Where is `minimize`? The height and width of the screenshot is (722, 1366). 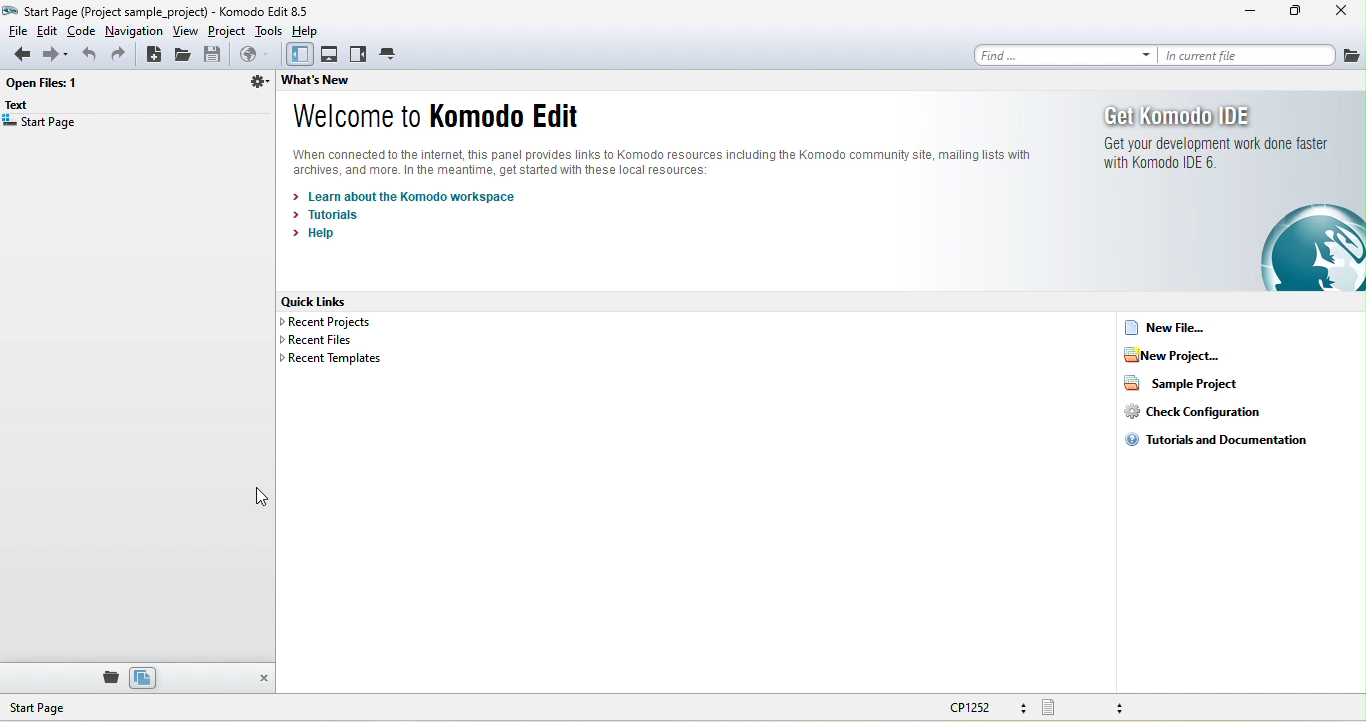
minimize is located at coordinates (1251, 14).